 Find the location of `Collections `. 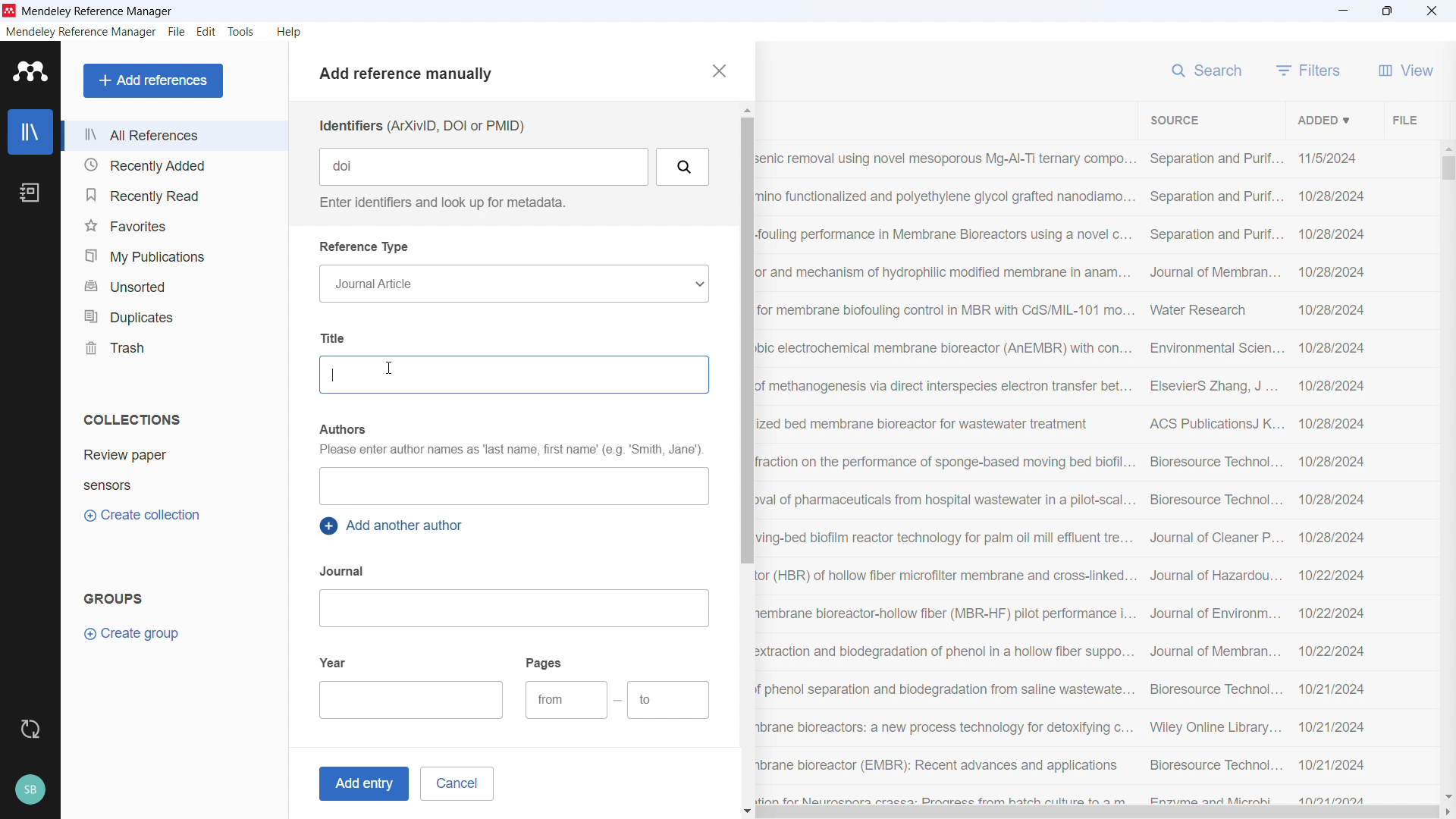

Collections  is located at coordinates (132, 419).